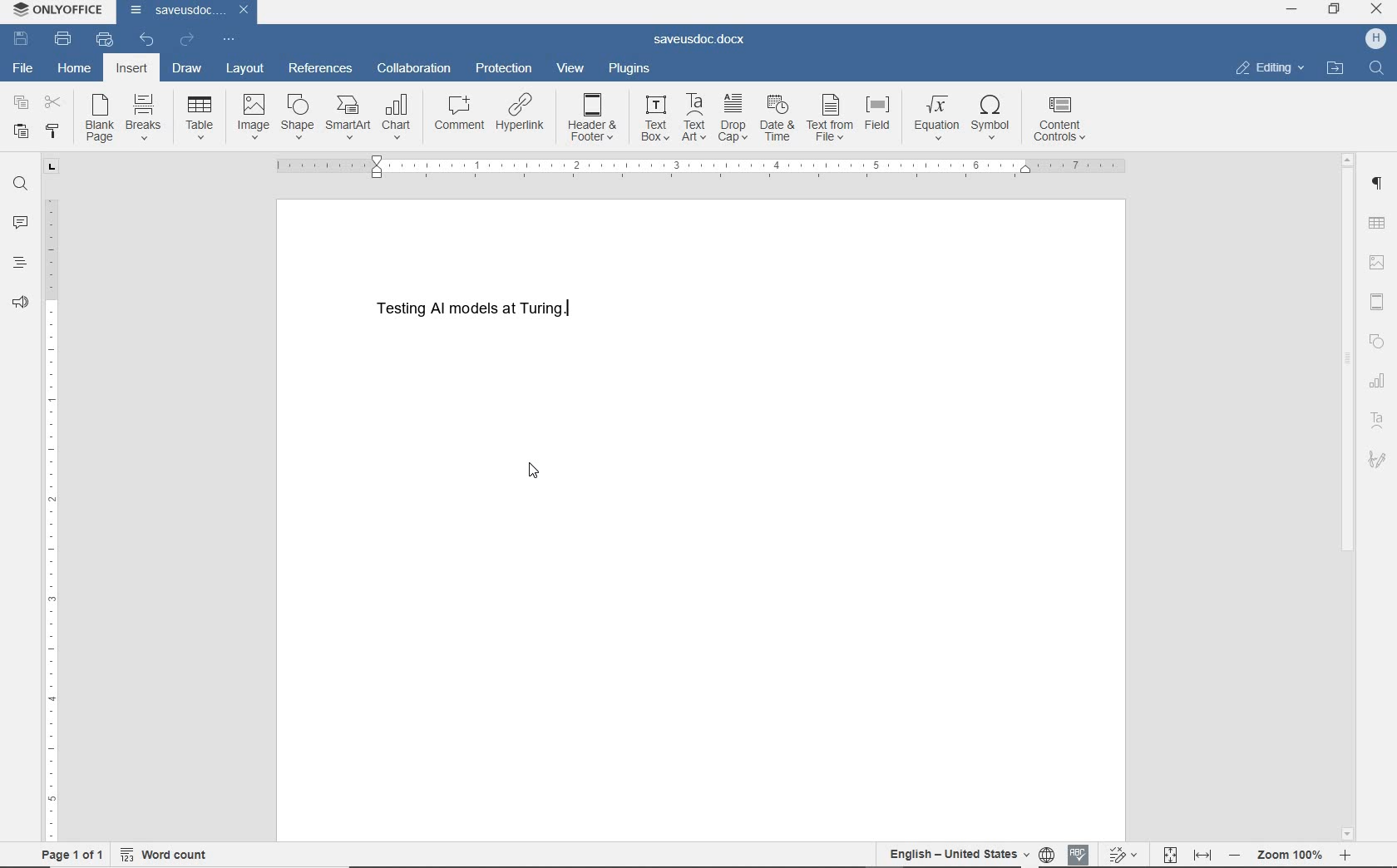 Image resolution: width=1397 pixels, height=868 pixels. Describe the element at coordinates (534, 470) in the screenshot. I see `Pointer` at that location.